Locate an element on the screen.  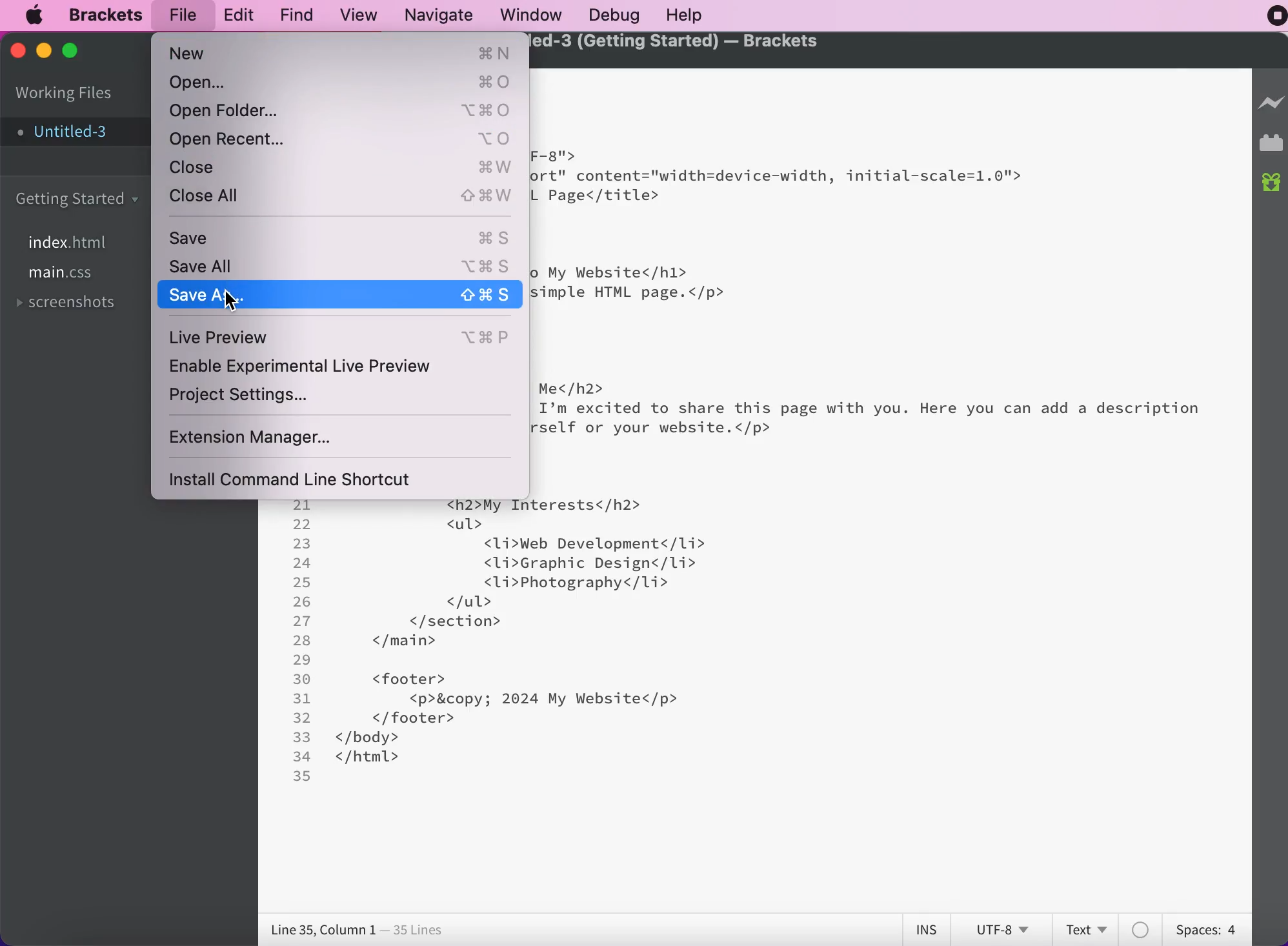
save as is located at coordinates (341, 294).